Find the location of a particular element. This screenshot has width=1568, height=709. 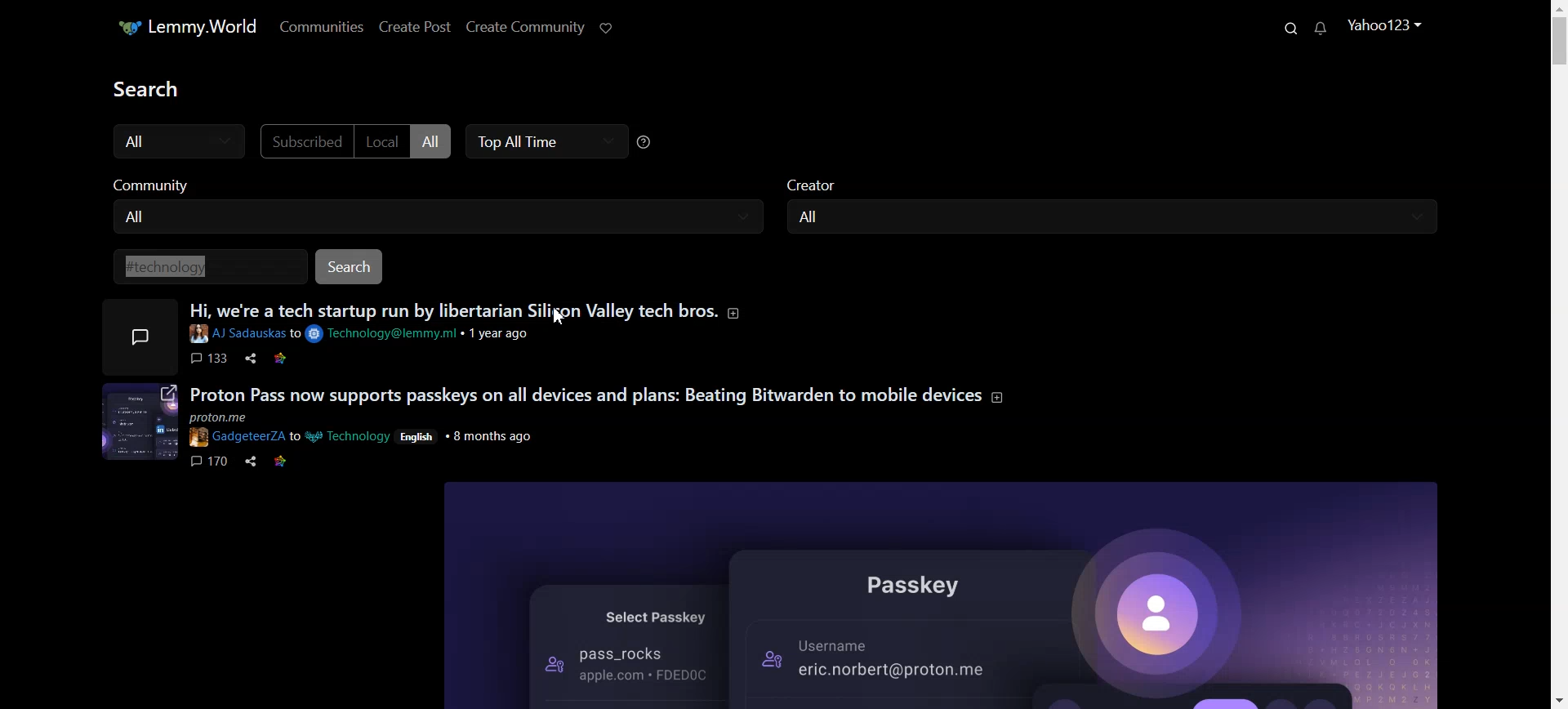

Top All Time is located at coordinates (546, 141).